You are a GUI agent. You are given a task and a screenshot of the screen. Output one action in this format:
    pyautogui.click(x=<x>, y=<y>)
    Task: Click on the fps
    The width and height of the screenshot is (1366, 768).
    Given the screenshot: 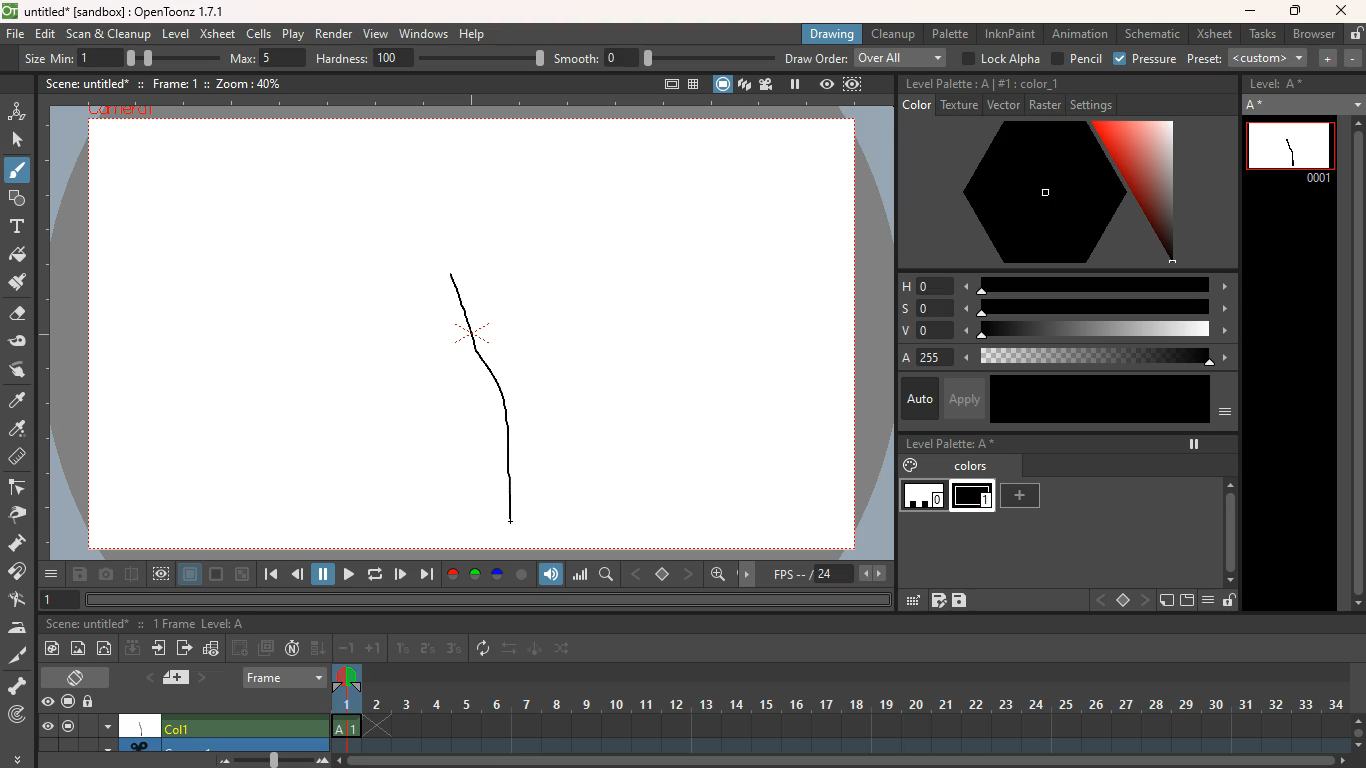 What is the action you would take?
    pyautogui.click(x=827, y=574)
    